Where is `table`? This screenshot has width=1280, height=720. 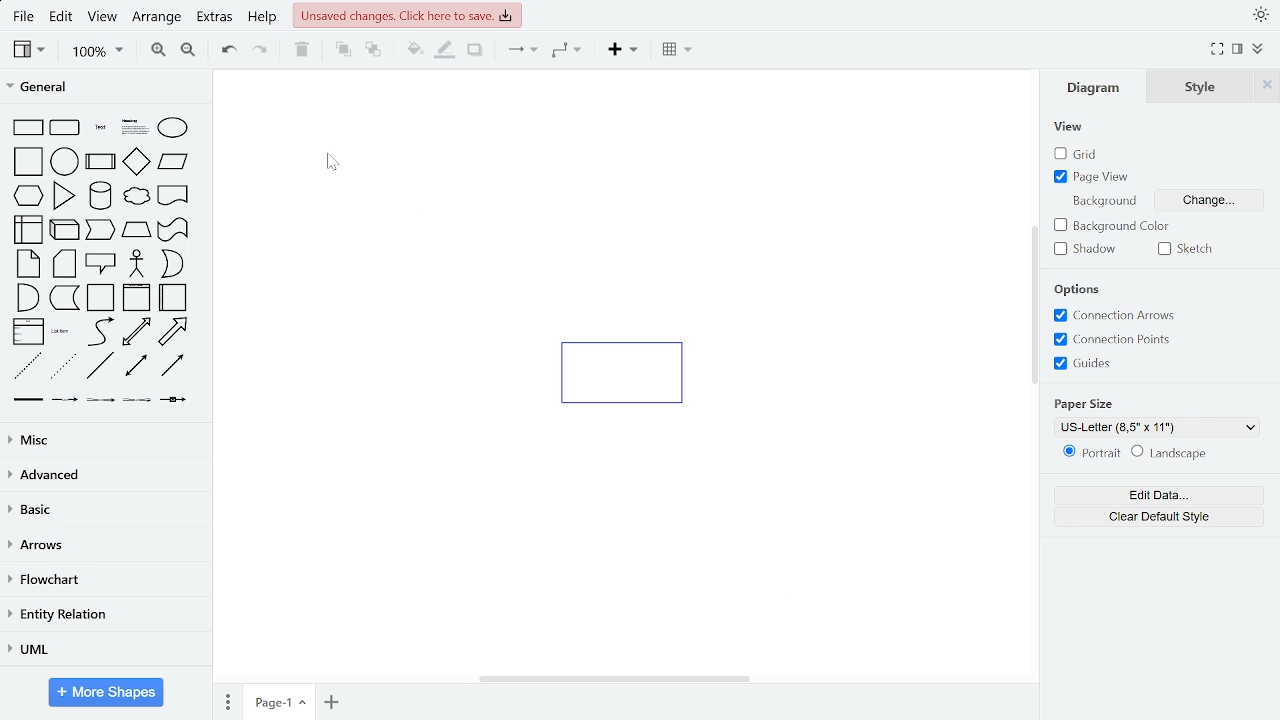 table is located at coordinates (680, 51).